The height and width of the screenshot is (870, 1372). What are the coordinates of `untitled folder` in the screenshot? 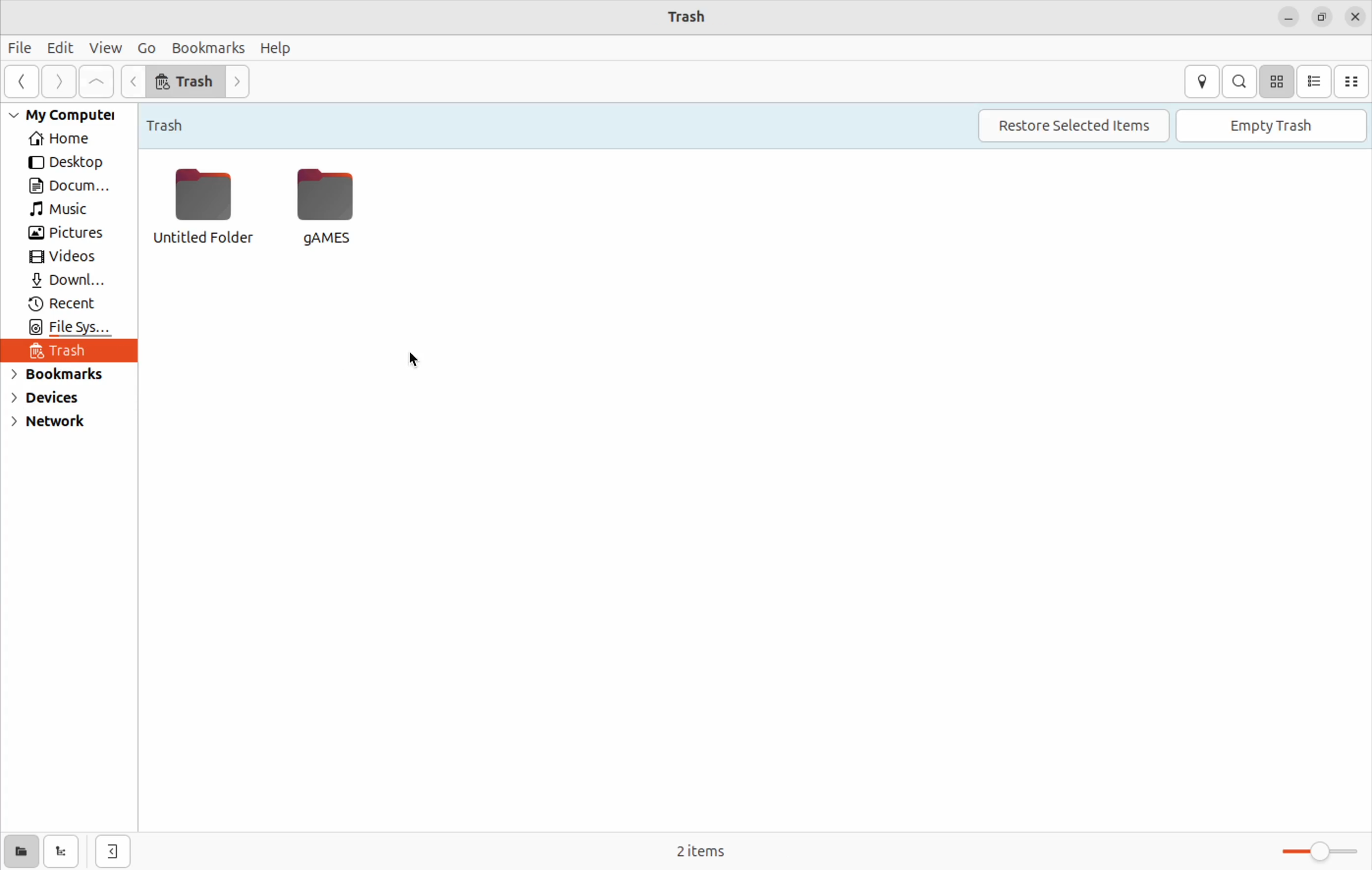 It's located at (198, 205).